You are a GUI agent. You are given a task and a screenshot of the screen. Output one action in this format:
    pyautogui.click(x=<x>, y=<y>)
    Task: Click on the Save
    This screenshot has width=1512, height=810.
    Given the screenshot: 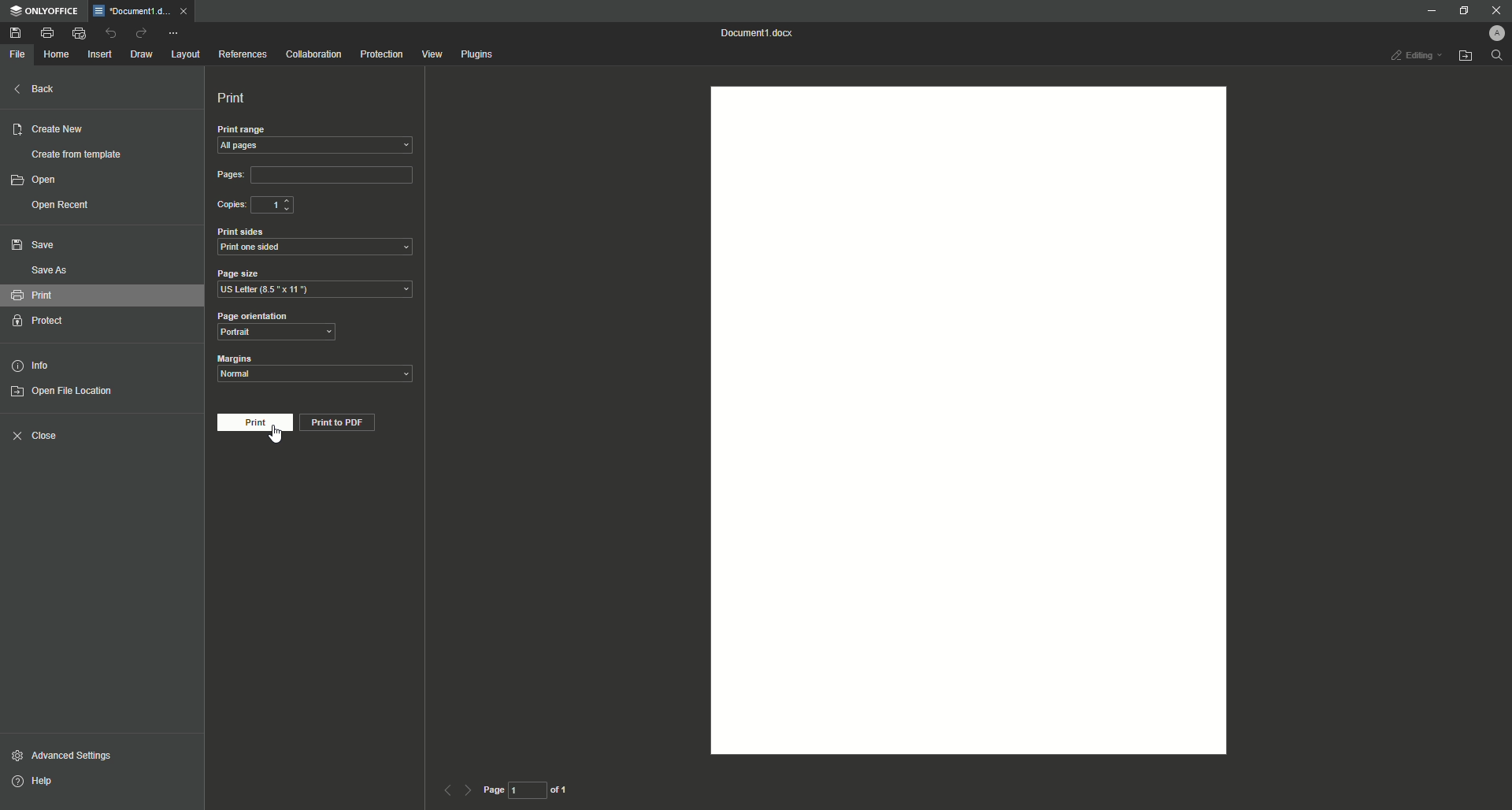 What is the action you would take?
    pyautogui.click(x=40, y=245)
    